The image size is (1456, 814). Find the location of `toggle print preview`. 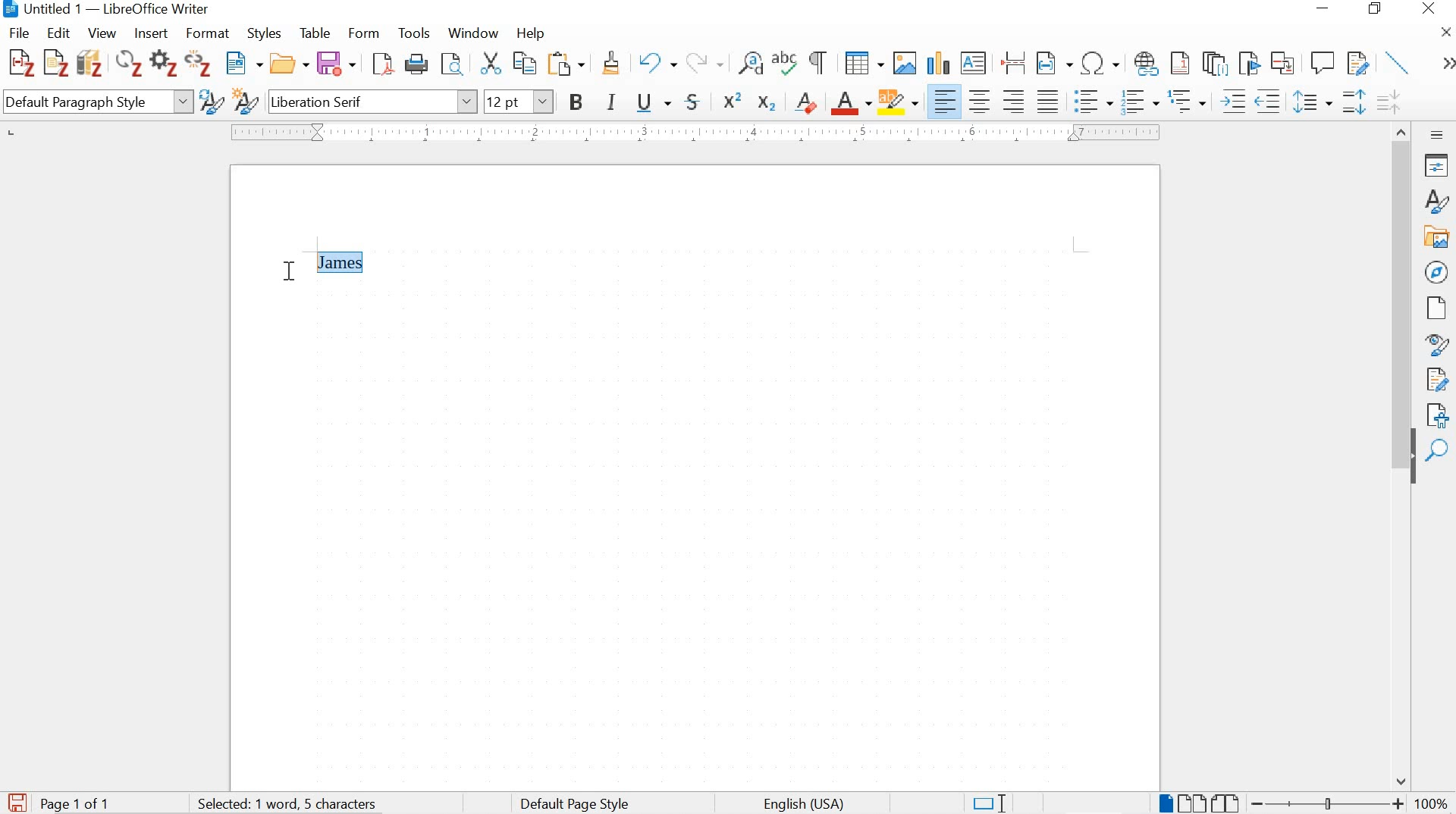

toggle print preview is located at coordinates (451, 66).